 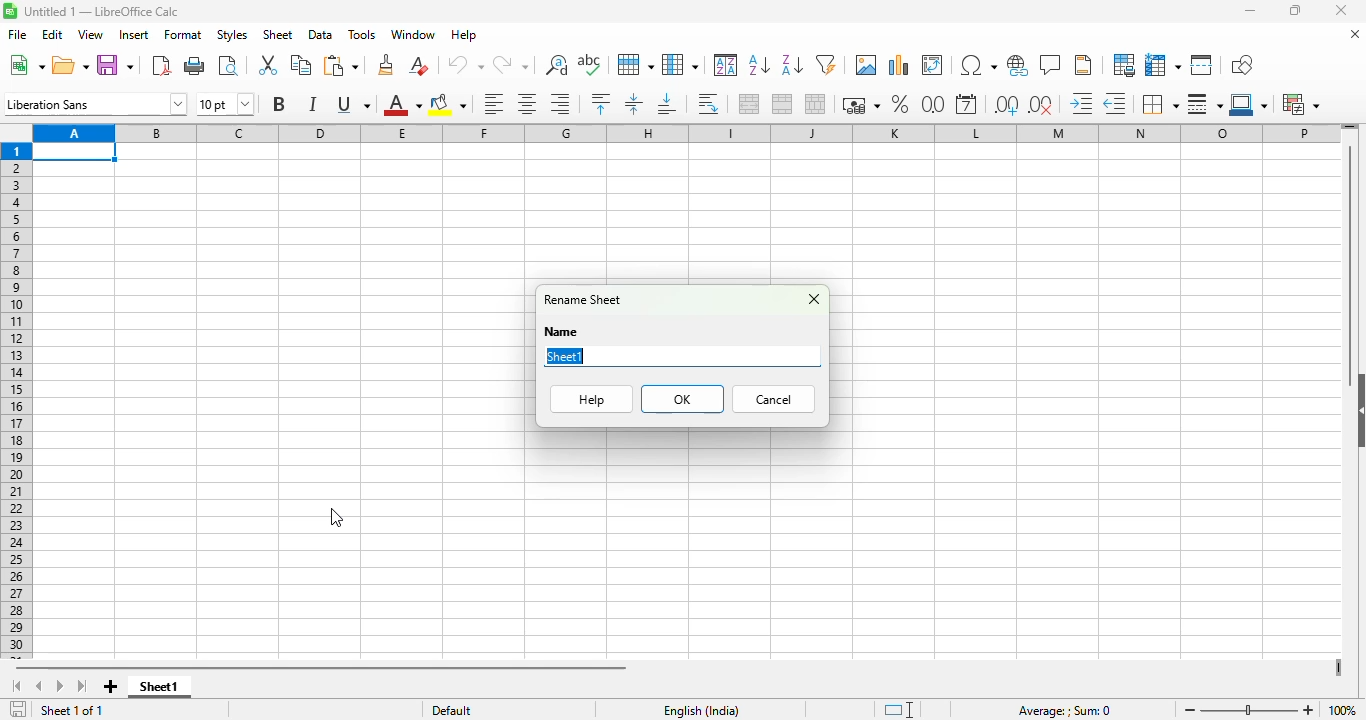 I want to click on close, so click(x=814, y=299).